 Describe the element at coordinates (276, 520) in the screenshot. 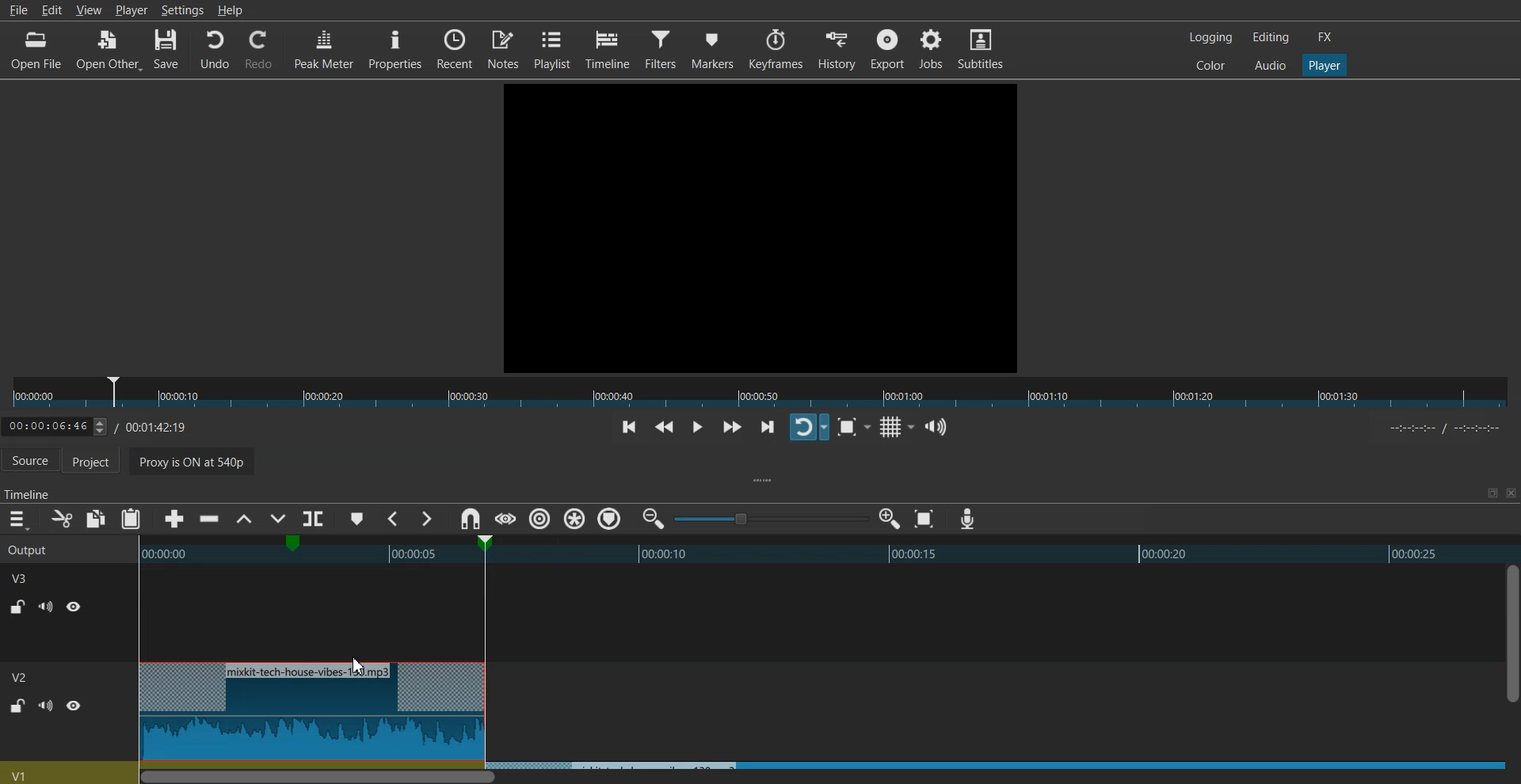

I see `Overwrite` at that location.